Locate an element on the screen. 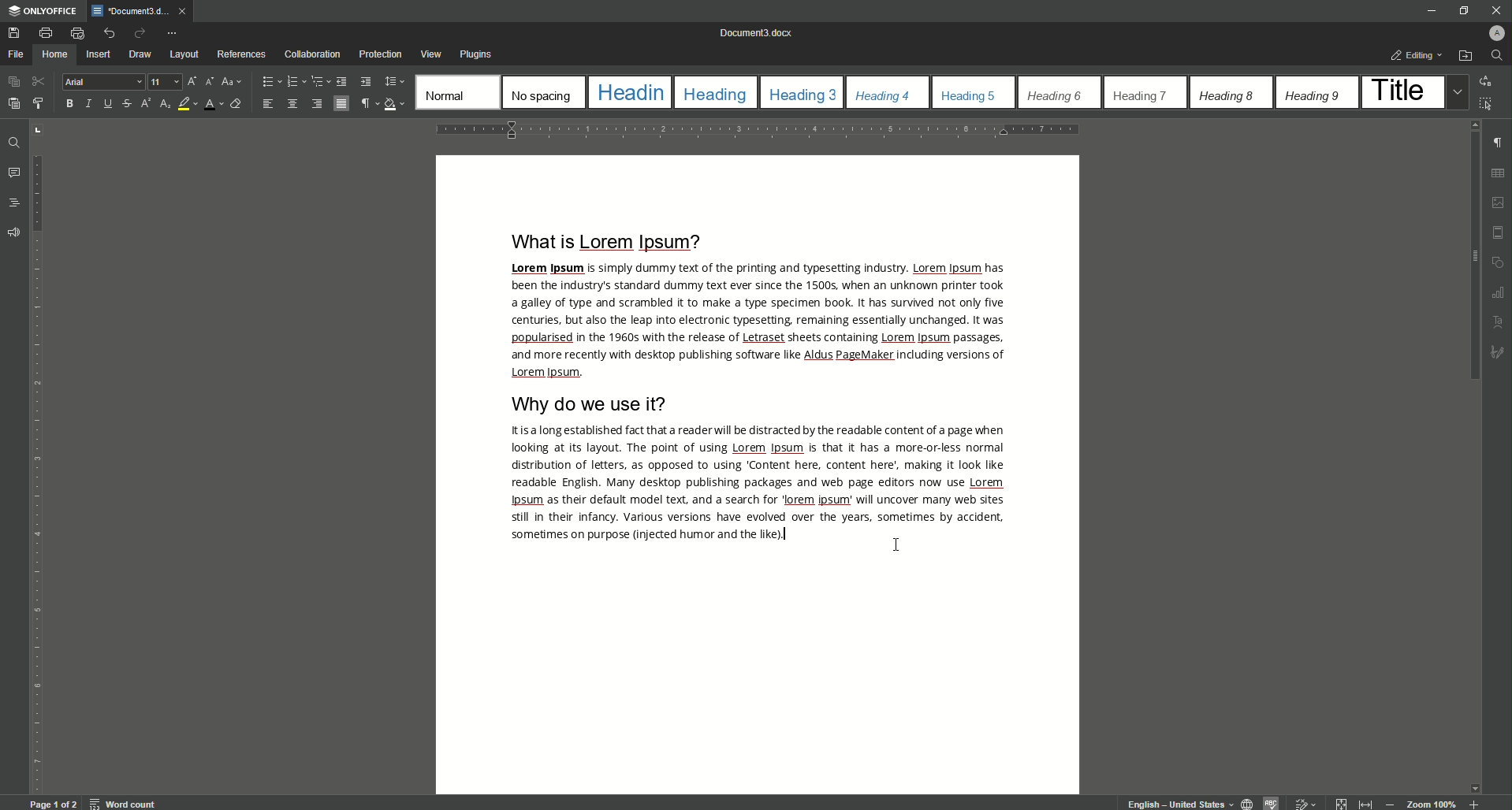 Image resolution: width=1512 pixels, height=810 pixels. vertical scale is located at coordinates (40, 526).